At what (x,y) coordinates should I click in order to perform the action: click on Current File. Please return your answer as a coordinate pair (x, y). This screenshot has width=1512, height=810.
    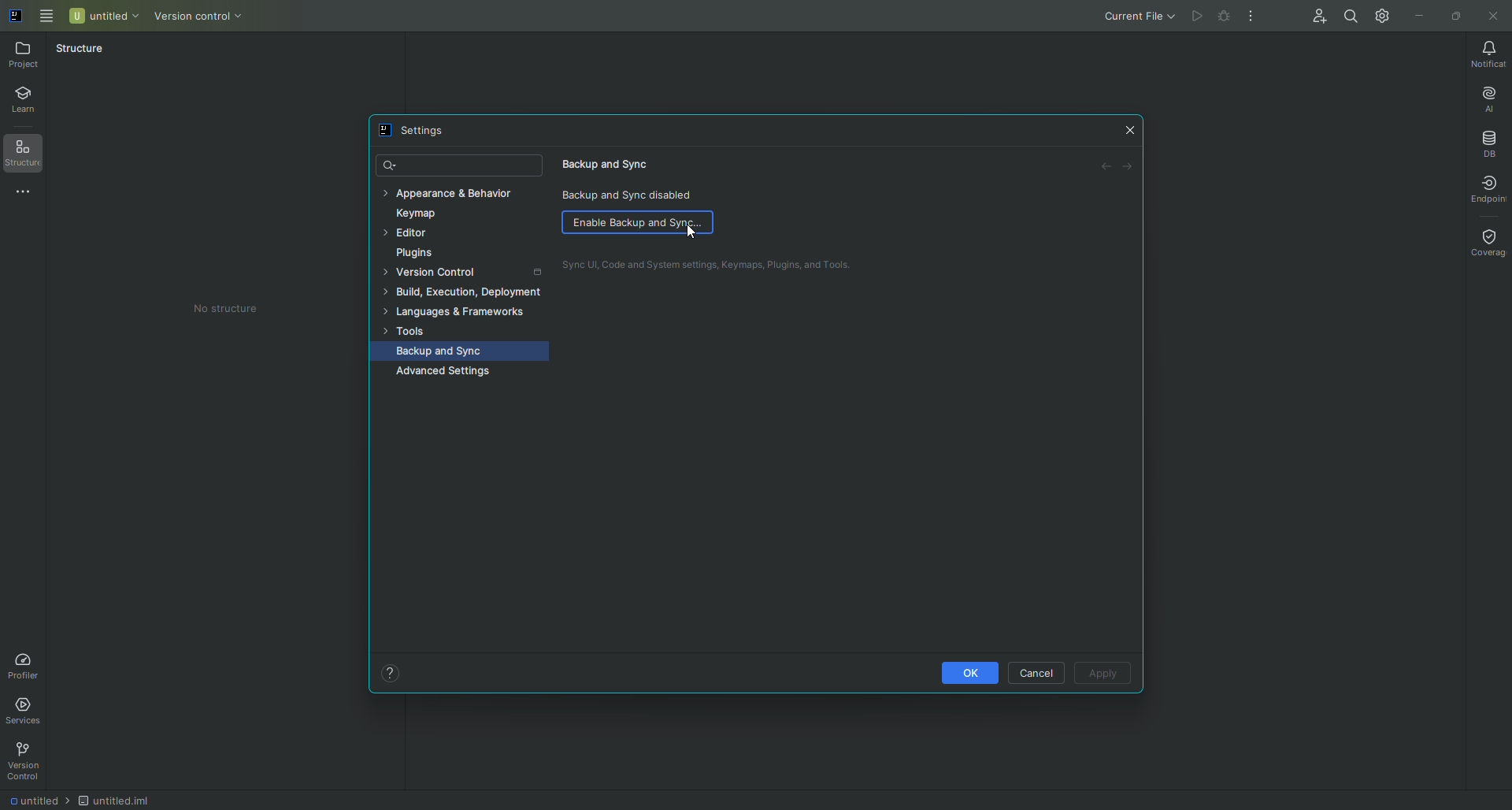
    Looking at the image, I should click on (1125, 17).